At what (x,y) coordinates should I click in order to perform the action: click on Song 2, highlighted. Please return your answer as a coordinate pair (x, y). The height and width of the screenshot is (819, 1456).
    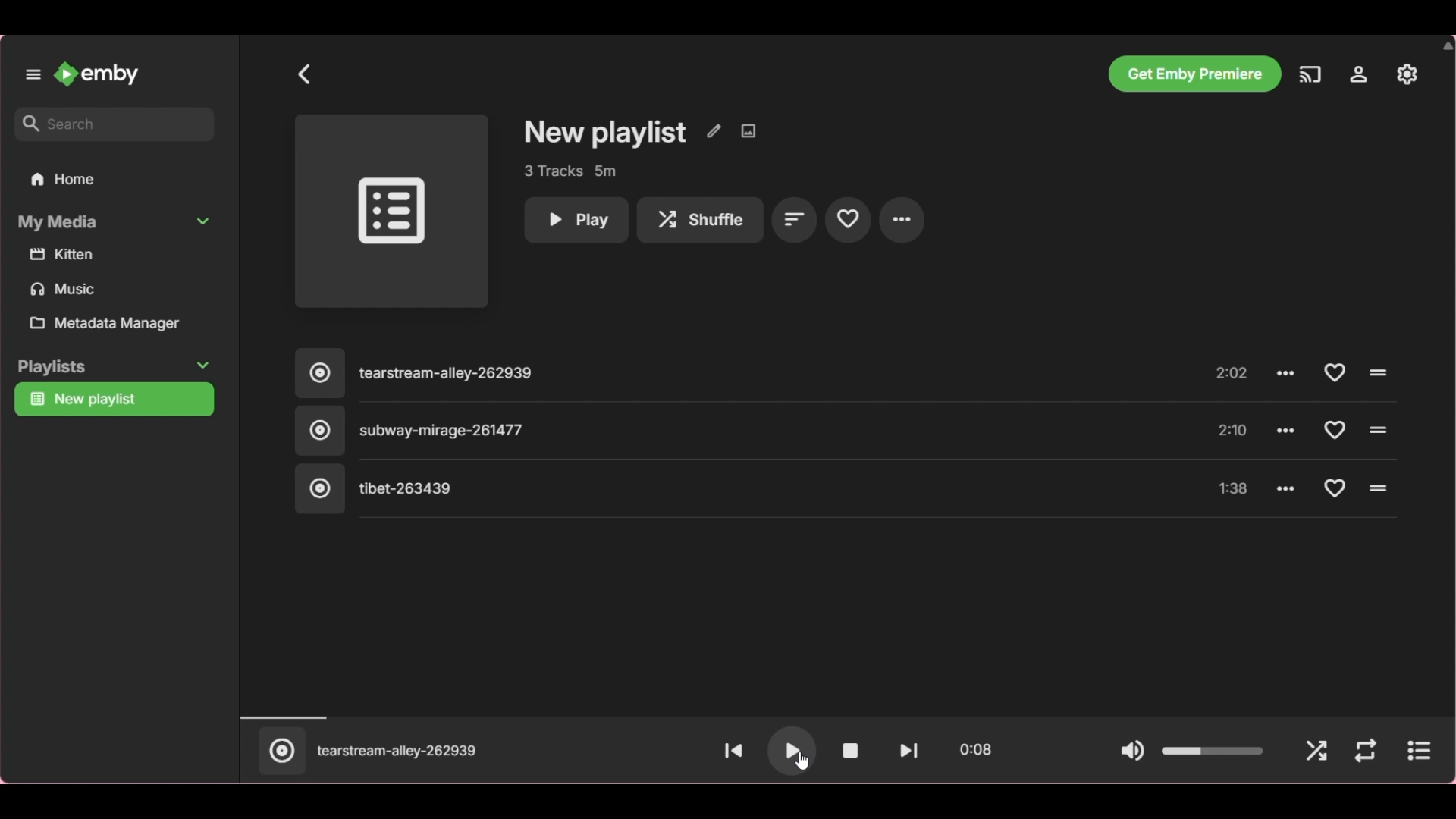
    Looking at the image, I should click on (720, 431).